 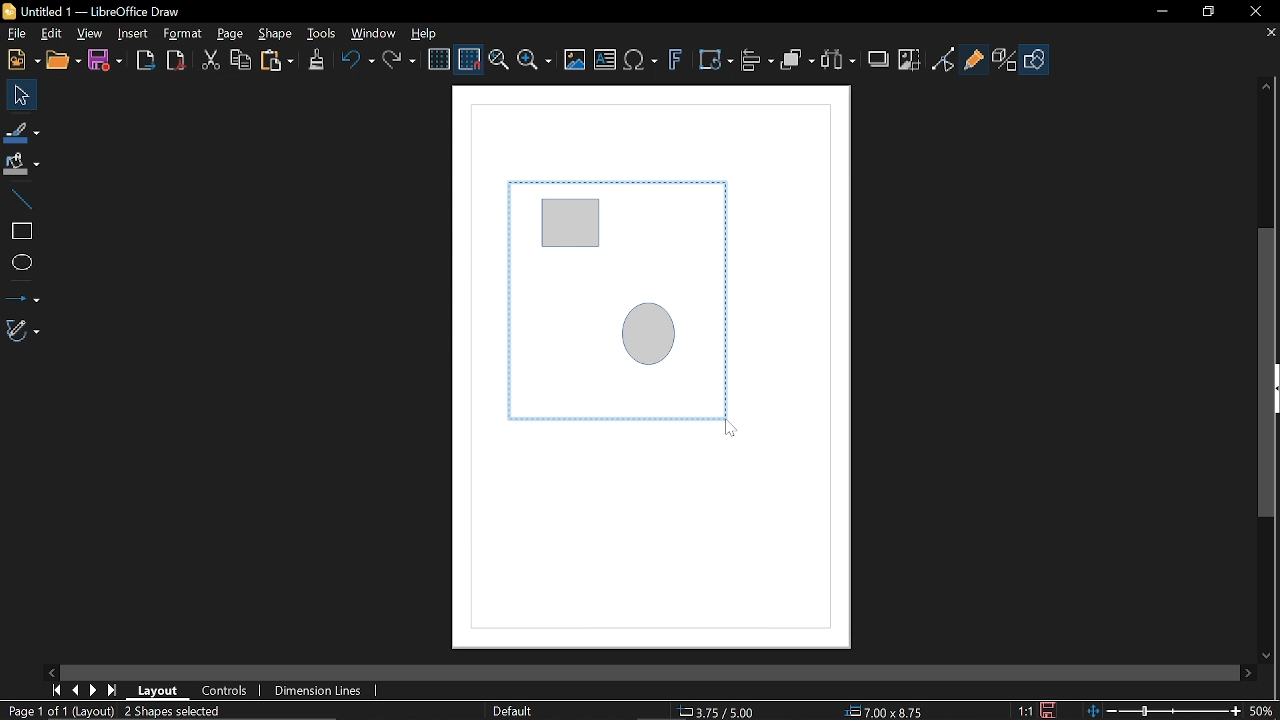 What do you see at coordinates (943, 61) in the screenshot?
I see `Toggle point of view` at bounding box center [943, 61].